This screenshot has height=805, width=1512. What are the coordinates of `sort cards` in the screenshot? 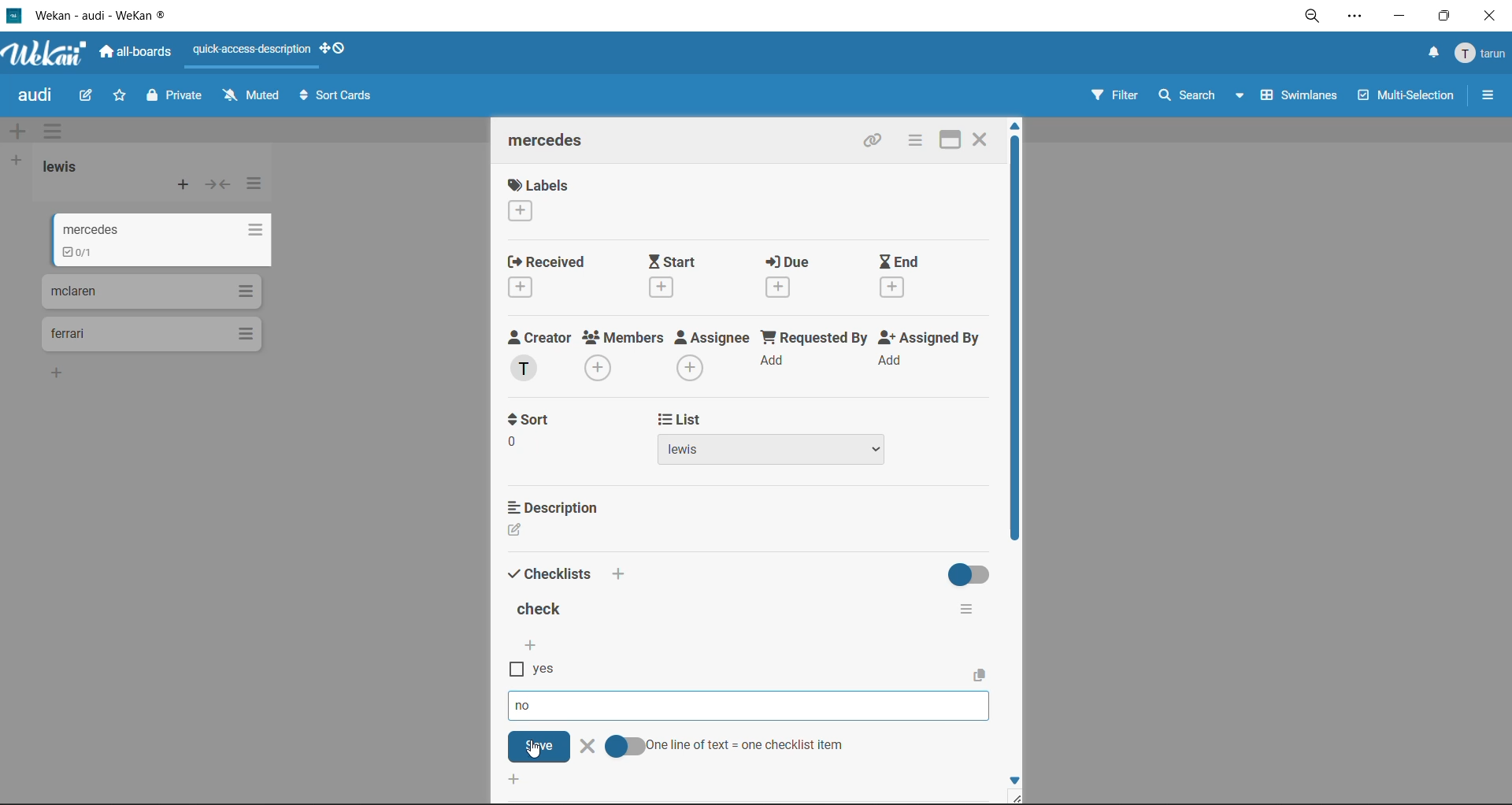 It's located at (339, 98).